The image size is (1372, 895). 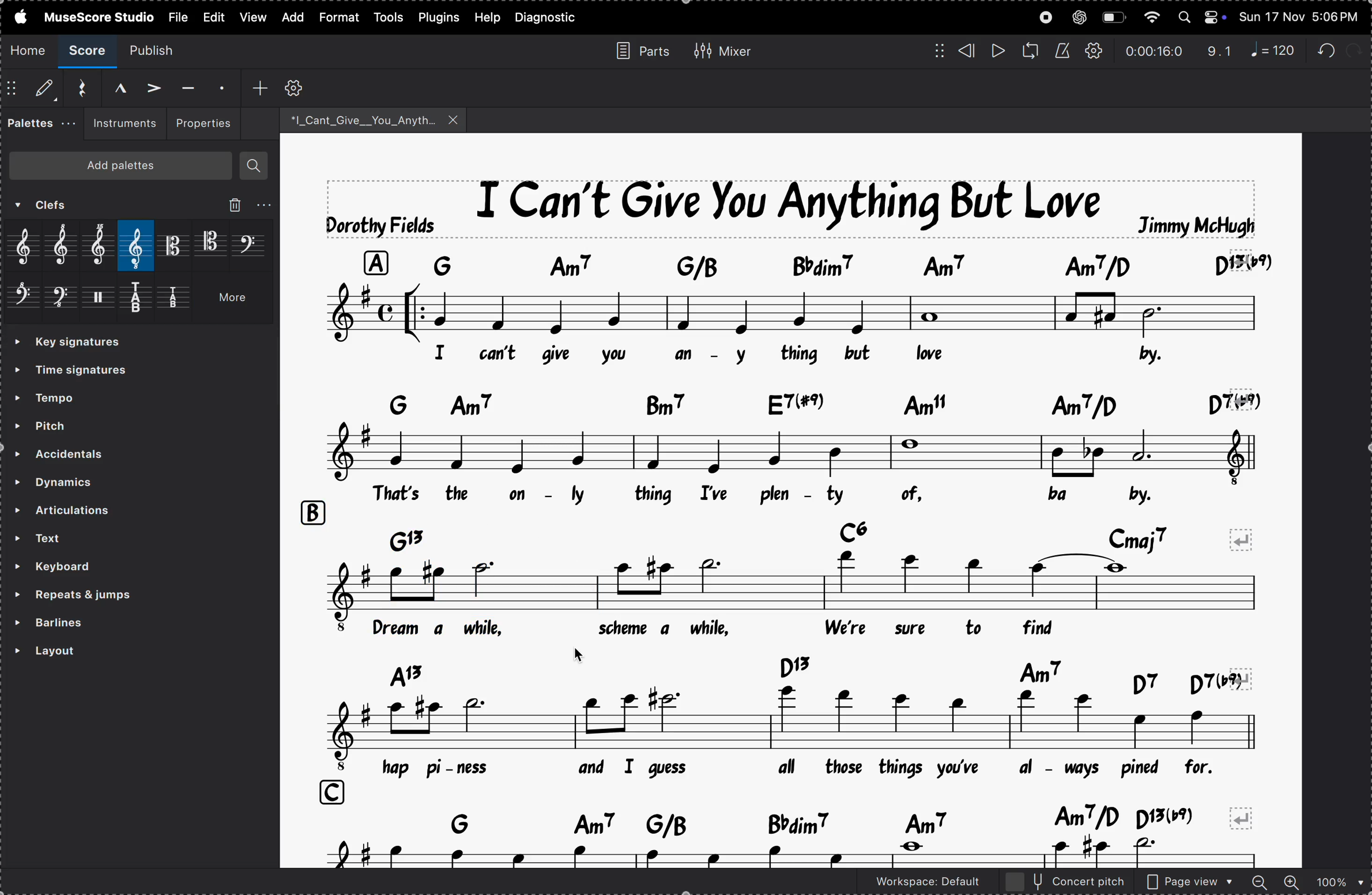 What do you see at coordinates (795, 819) in the screenshot?
I see `key notes` at bounding box center [795, 819].